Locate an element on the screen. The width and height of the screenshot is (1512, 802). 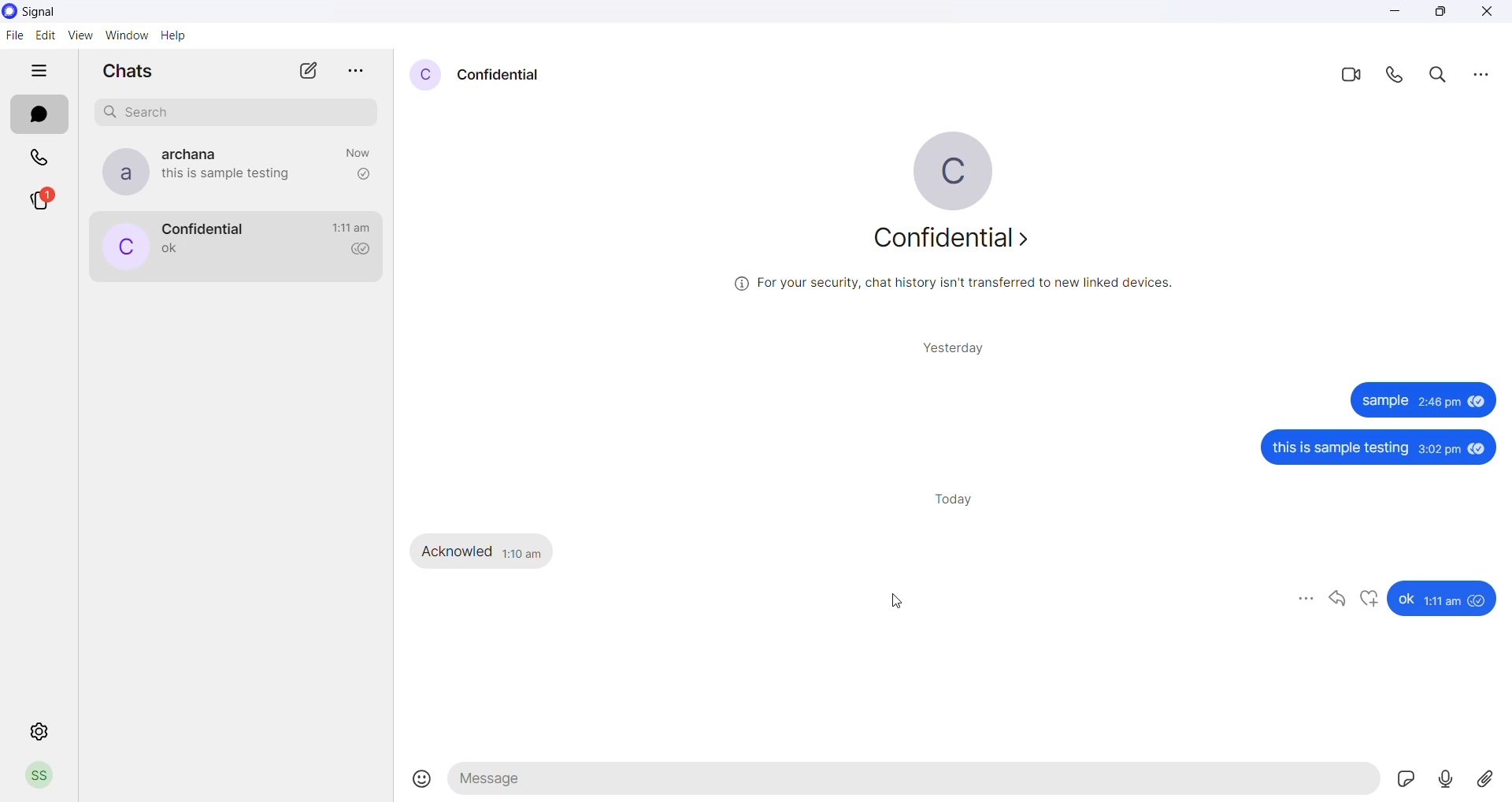
window is located at coordinates (130, 35).